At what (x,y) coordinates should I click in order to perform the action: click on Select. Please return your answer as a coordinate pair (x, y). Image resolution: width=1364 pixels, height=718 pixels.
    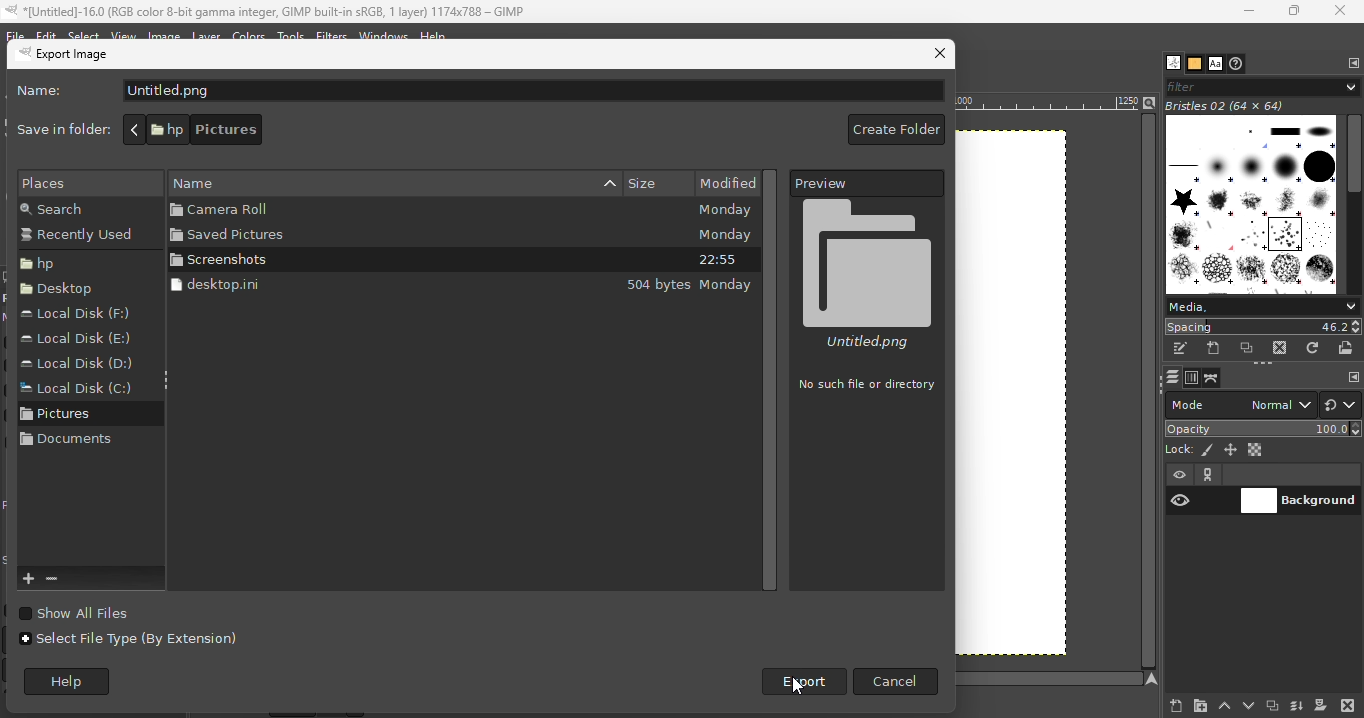
    Looking at the image, I should click on (84, 36).